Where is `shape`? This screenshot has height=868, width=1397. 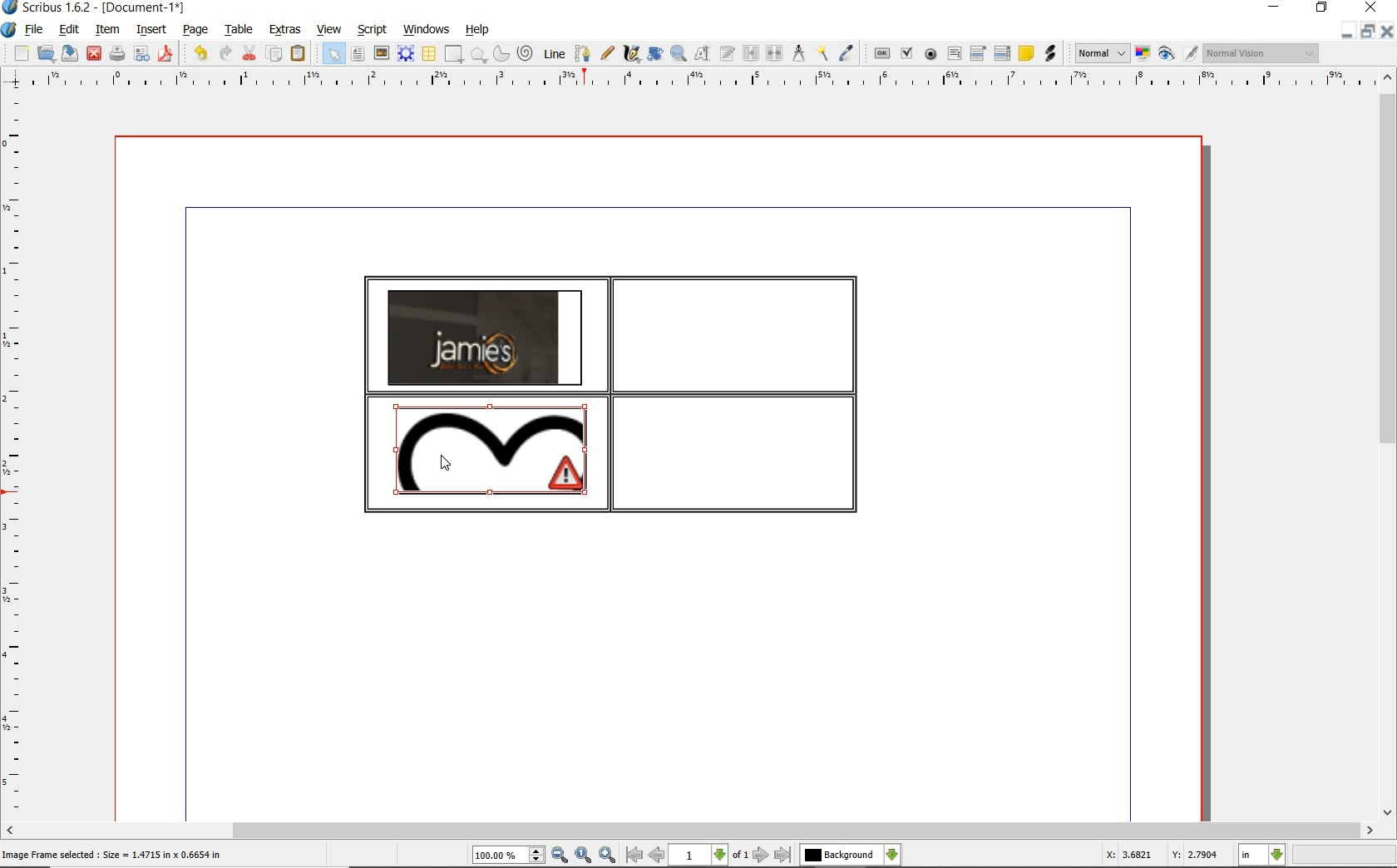
shape is located at coordinates (452, 55).